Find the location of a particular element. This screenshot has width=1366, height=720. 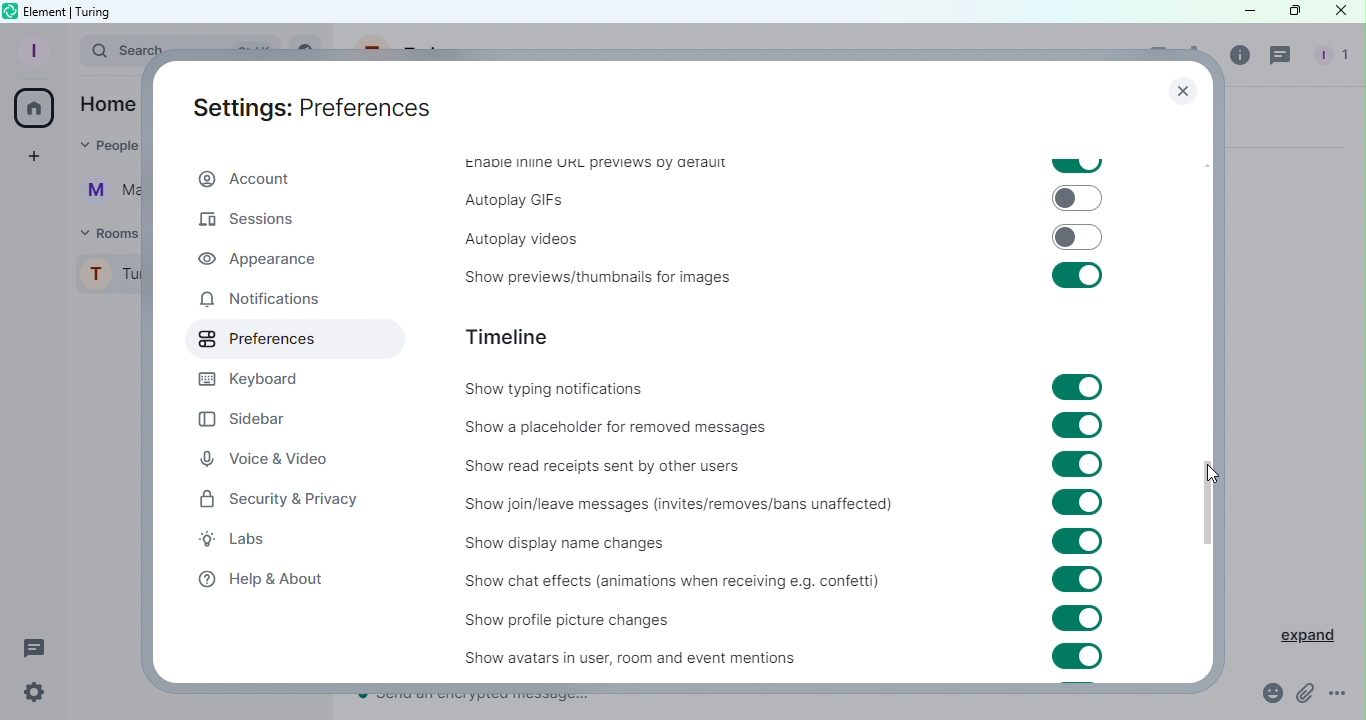

Notifications is located at coordinates (259, 302).